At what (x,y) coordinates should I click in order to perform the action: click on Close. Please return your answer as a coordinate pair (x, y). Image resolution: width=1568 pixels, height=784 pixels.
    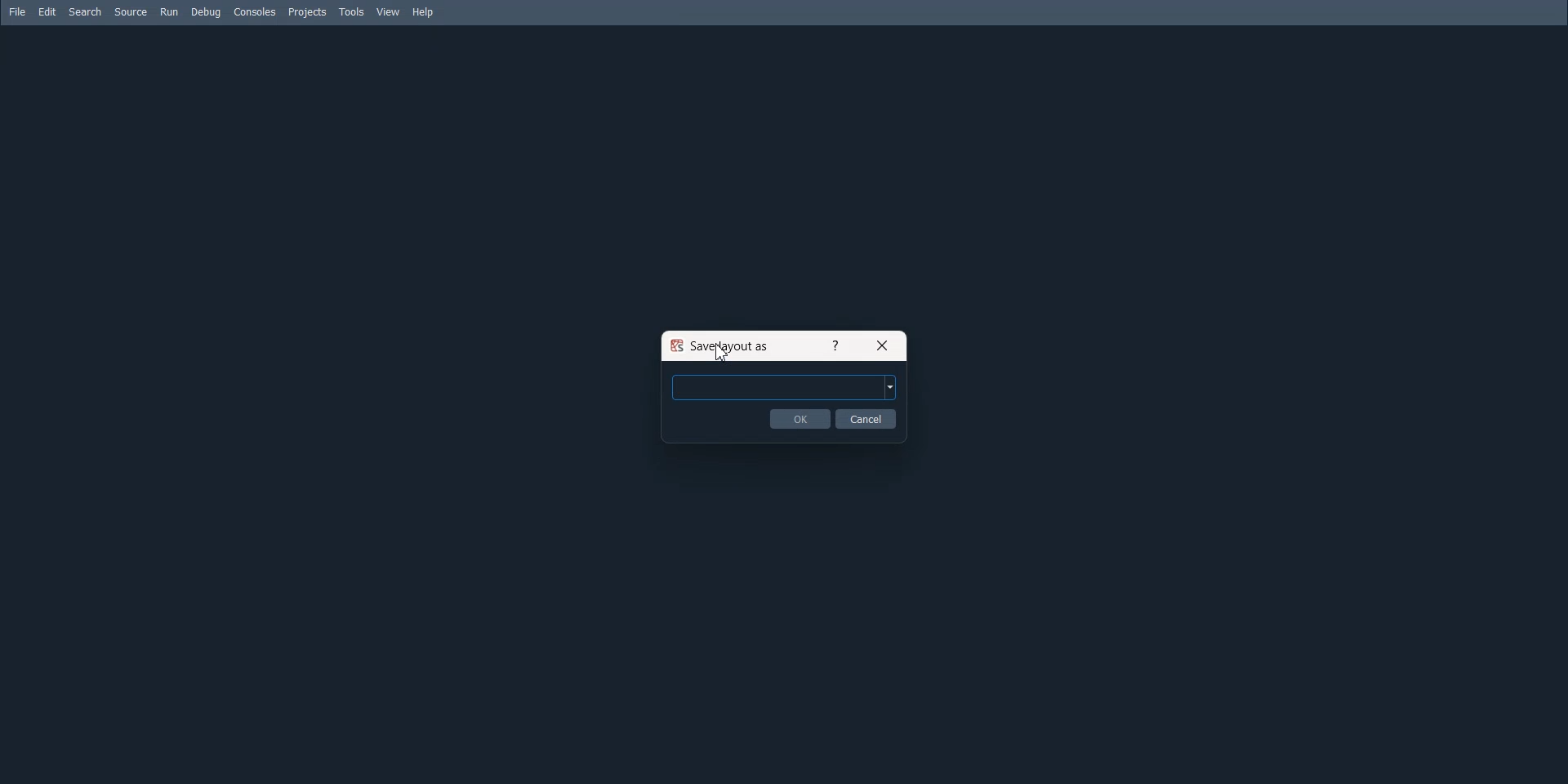
    Looking at the image, I should click on (883, 345).